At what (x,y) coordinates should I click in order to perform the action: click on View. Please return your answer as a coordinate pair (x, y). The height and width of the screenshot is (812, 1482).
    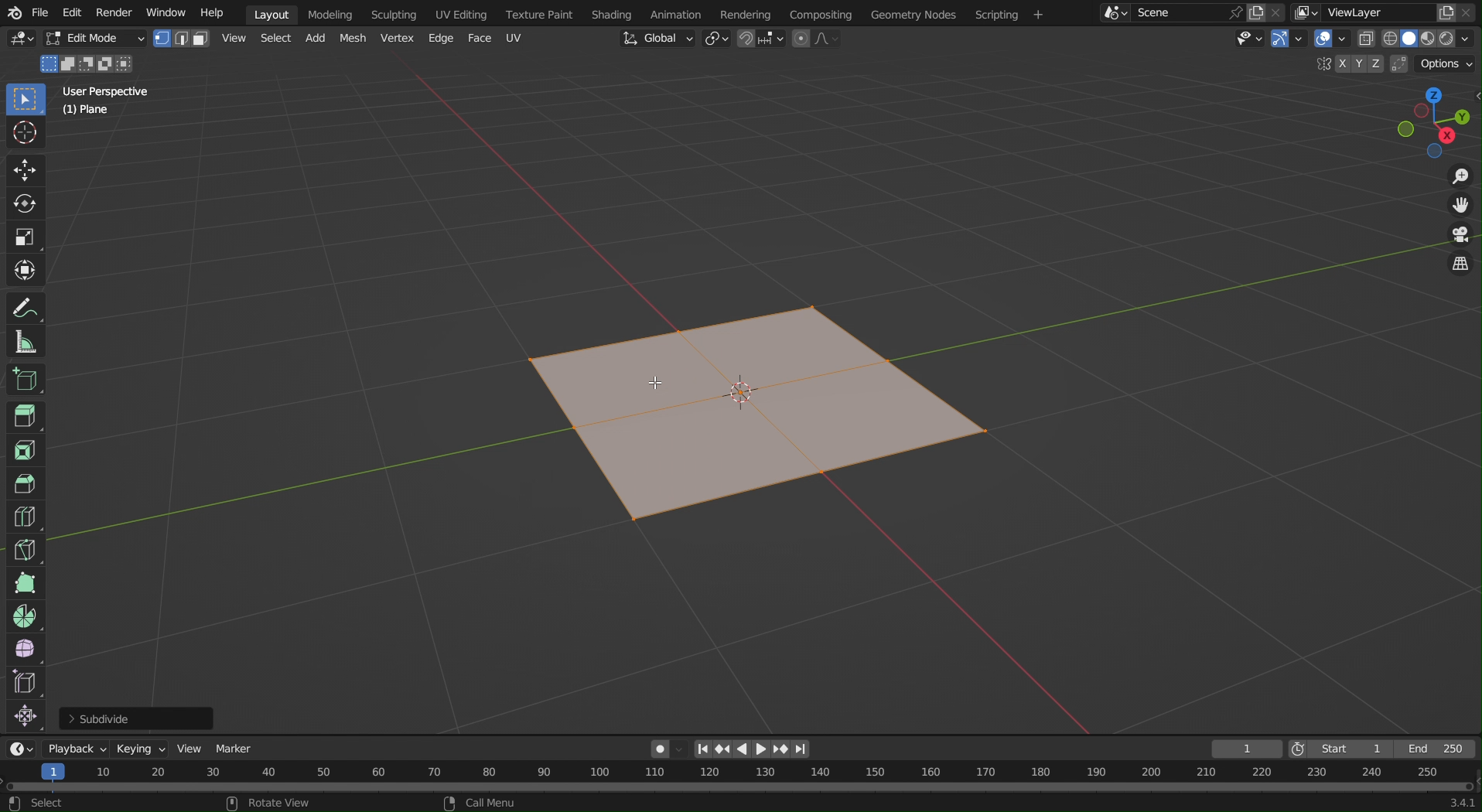
    Looking at the image, I should click on (192, 749).